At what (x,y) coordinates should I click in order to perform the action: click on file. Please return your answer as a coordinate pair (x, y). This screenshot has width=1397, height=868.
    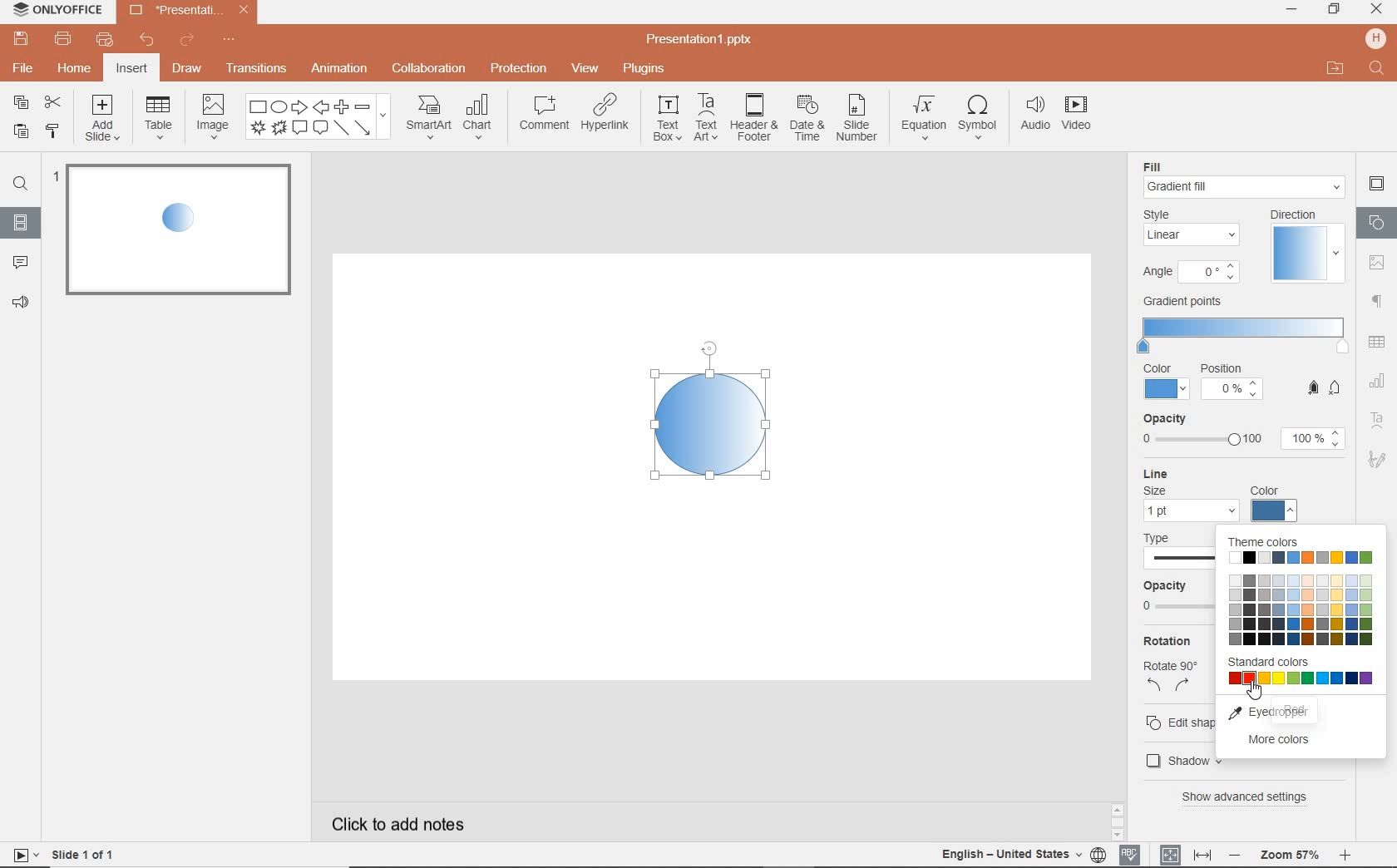
    Looking at the image, I should click on (22, 67).